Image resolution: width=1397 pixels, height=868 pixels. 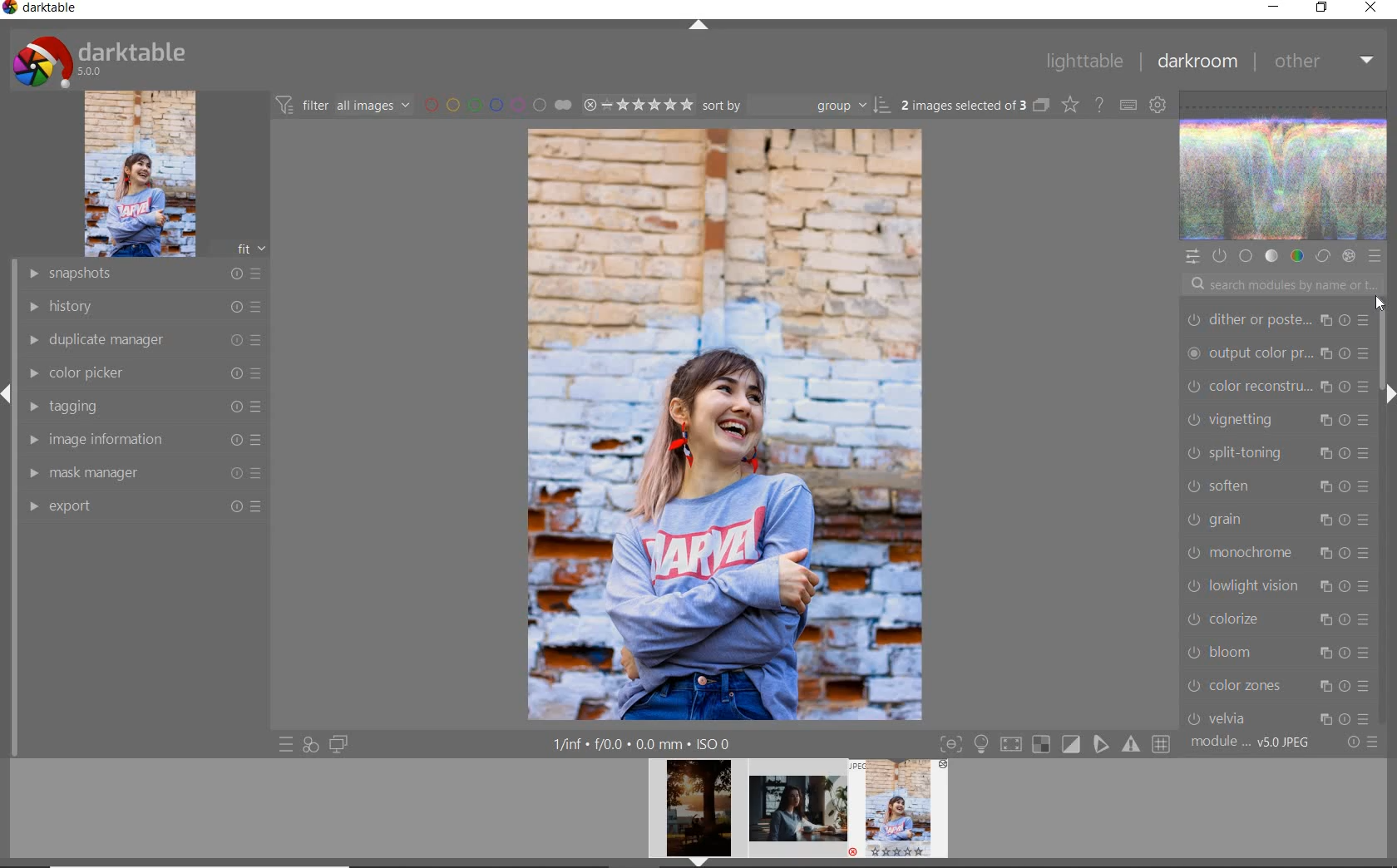 What do you see at coordinates (1197, 62) in the screenshot?
I see `DARKROOM` at bounding box center [1197, 62].